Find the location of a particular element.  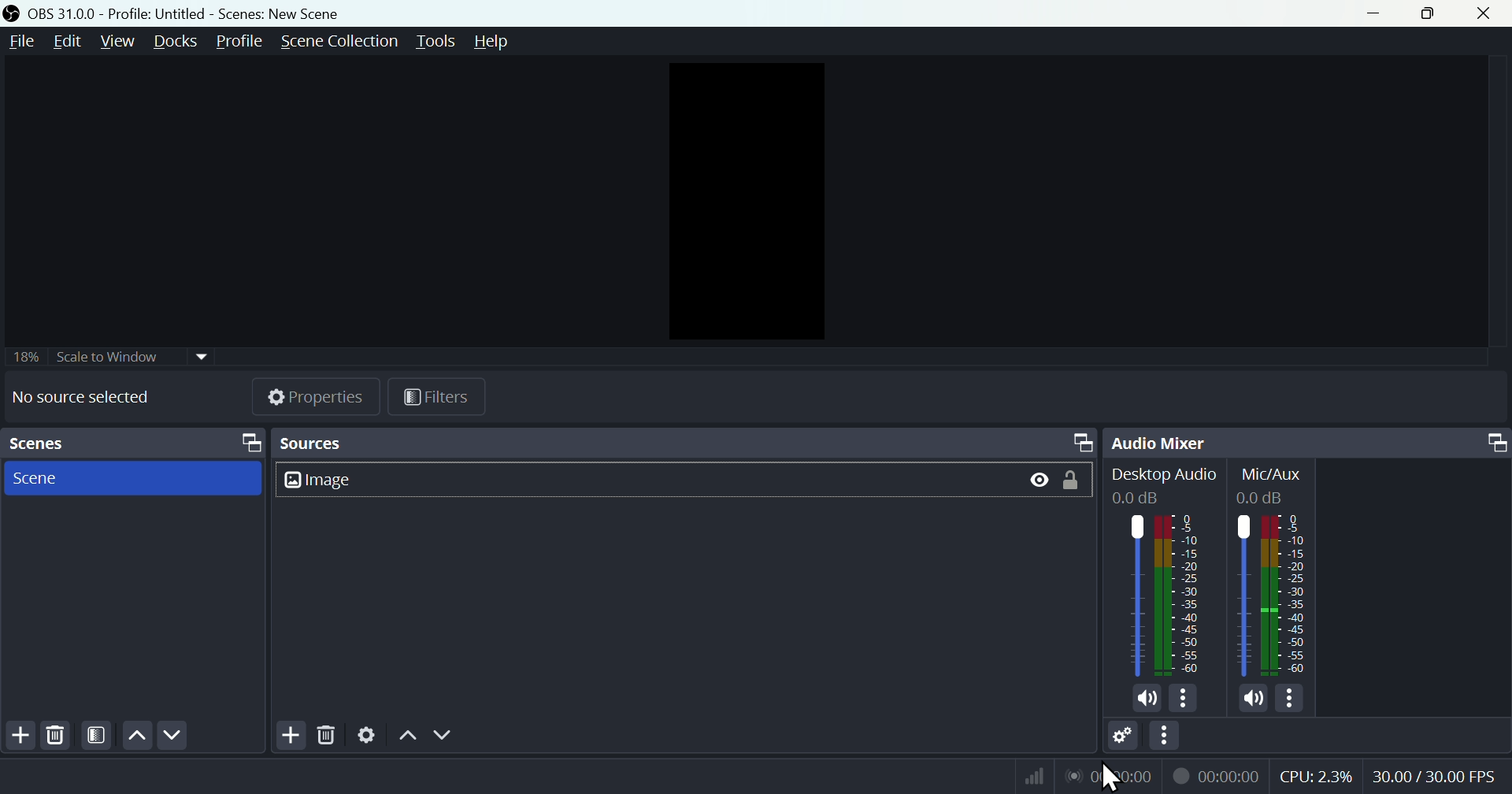

Edit is located at coordinates (67, 44).